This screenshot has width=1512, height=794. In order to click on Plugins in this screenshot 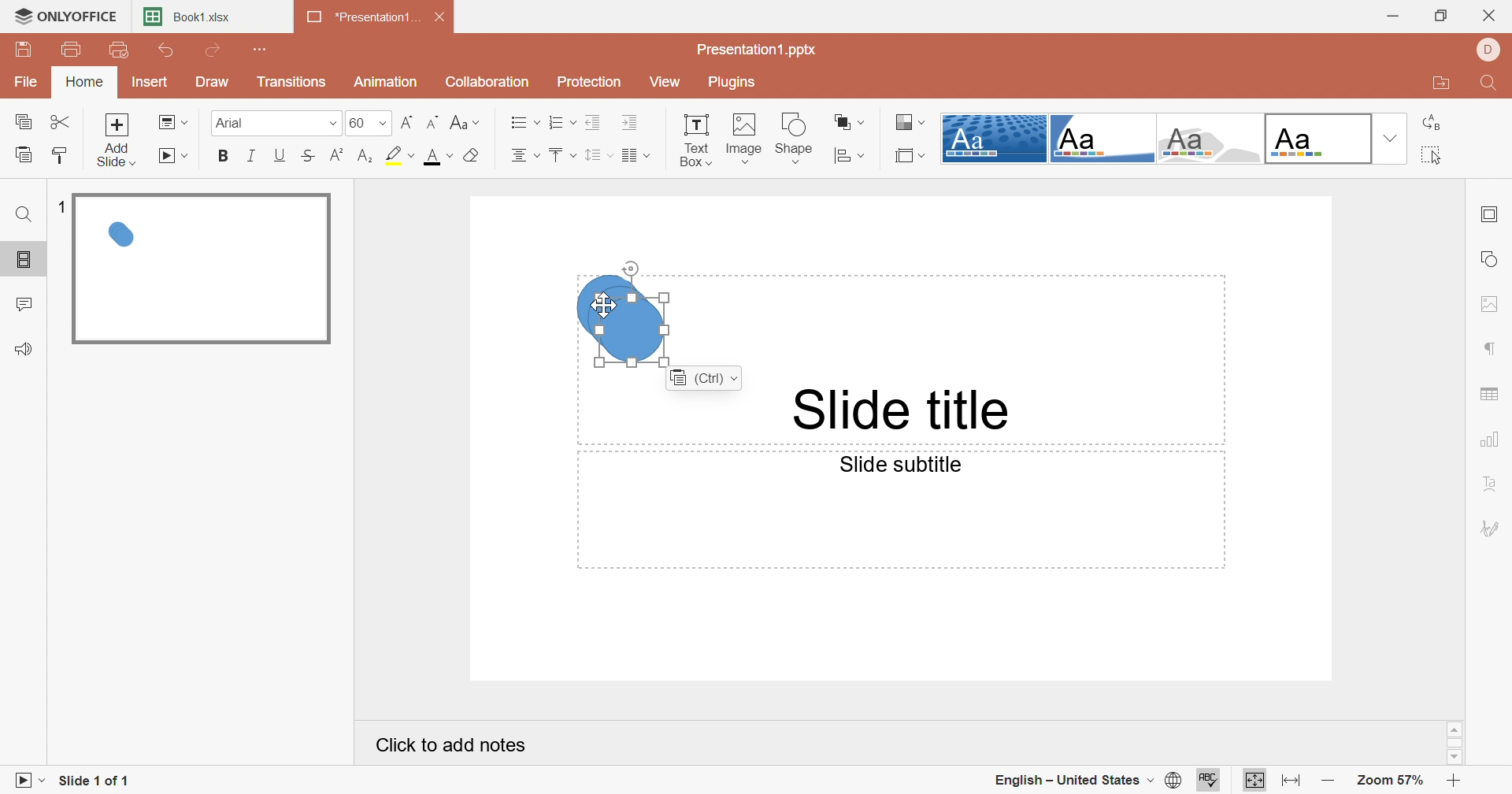, I will do `click(733, 82)`.